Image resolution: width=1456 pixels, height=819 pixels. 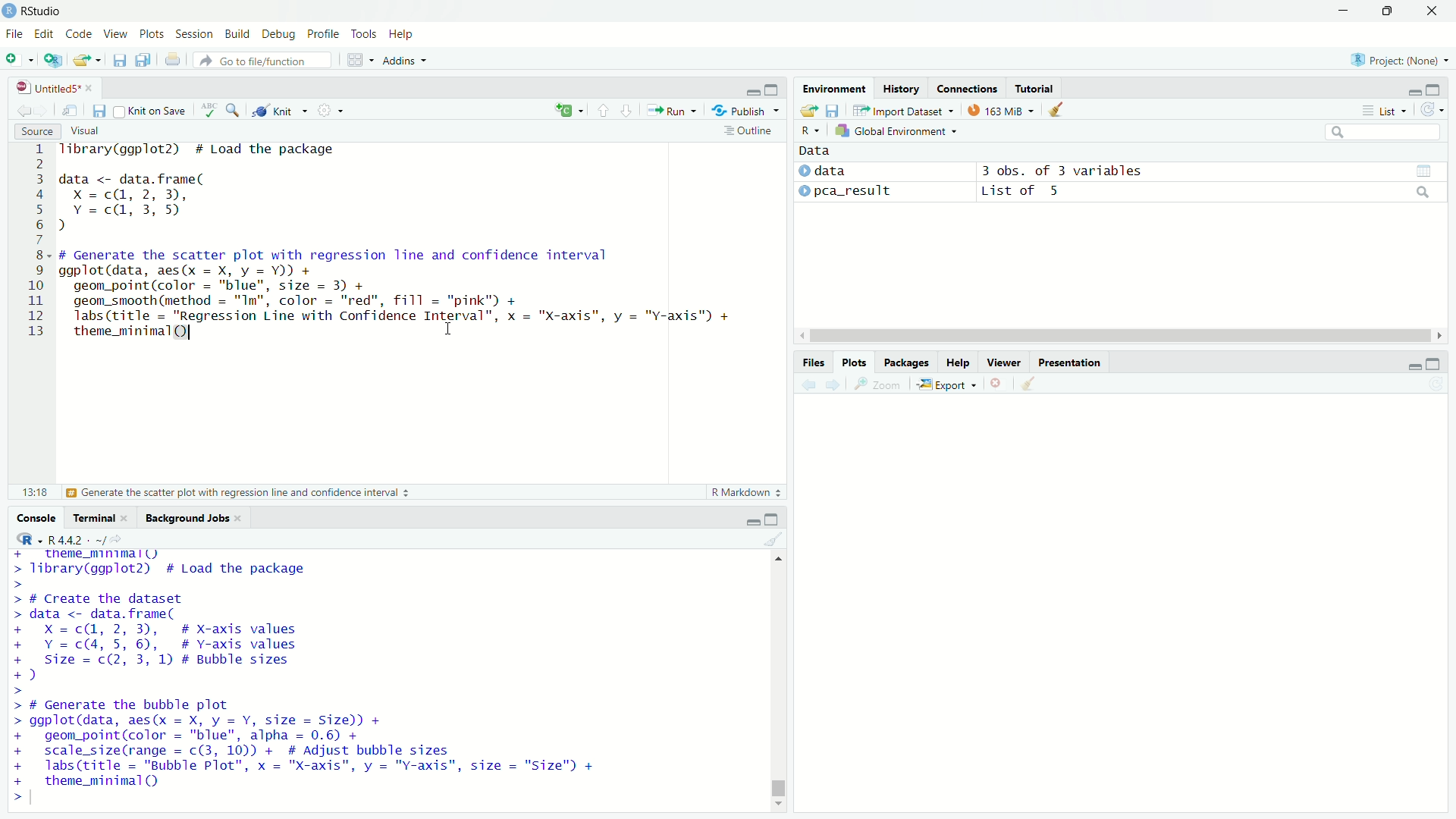 I want to click on Go forward to next source location, so click(x=42, y=111).